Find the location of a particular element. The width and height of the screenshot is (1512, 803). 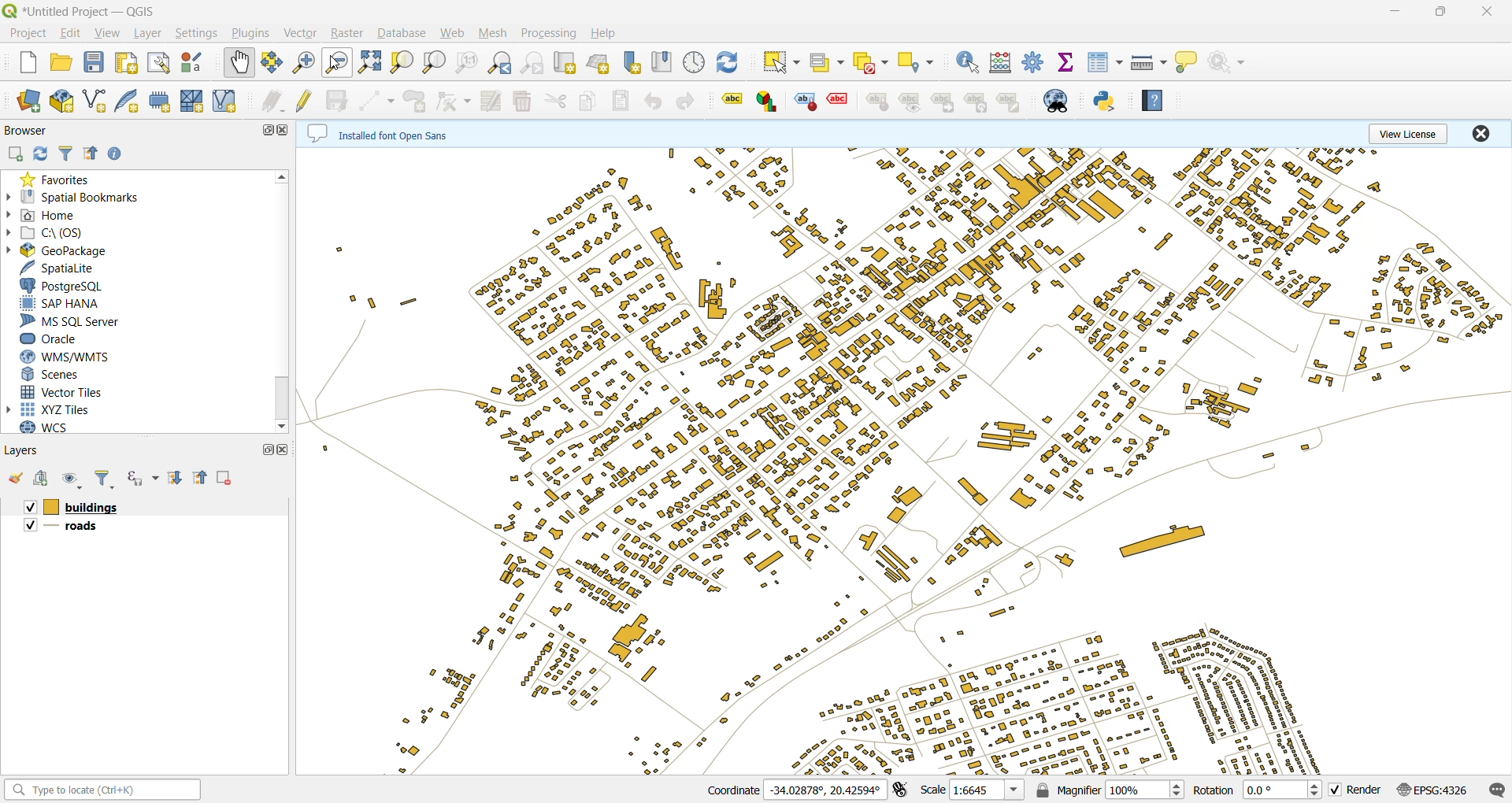

favorites is located at coordinates (61, 179).